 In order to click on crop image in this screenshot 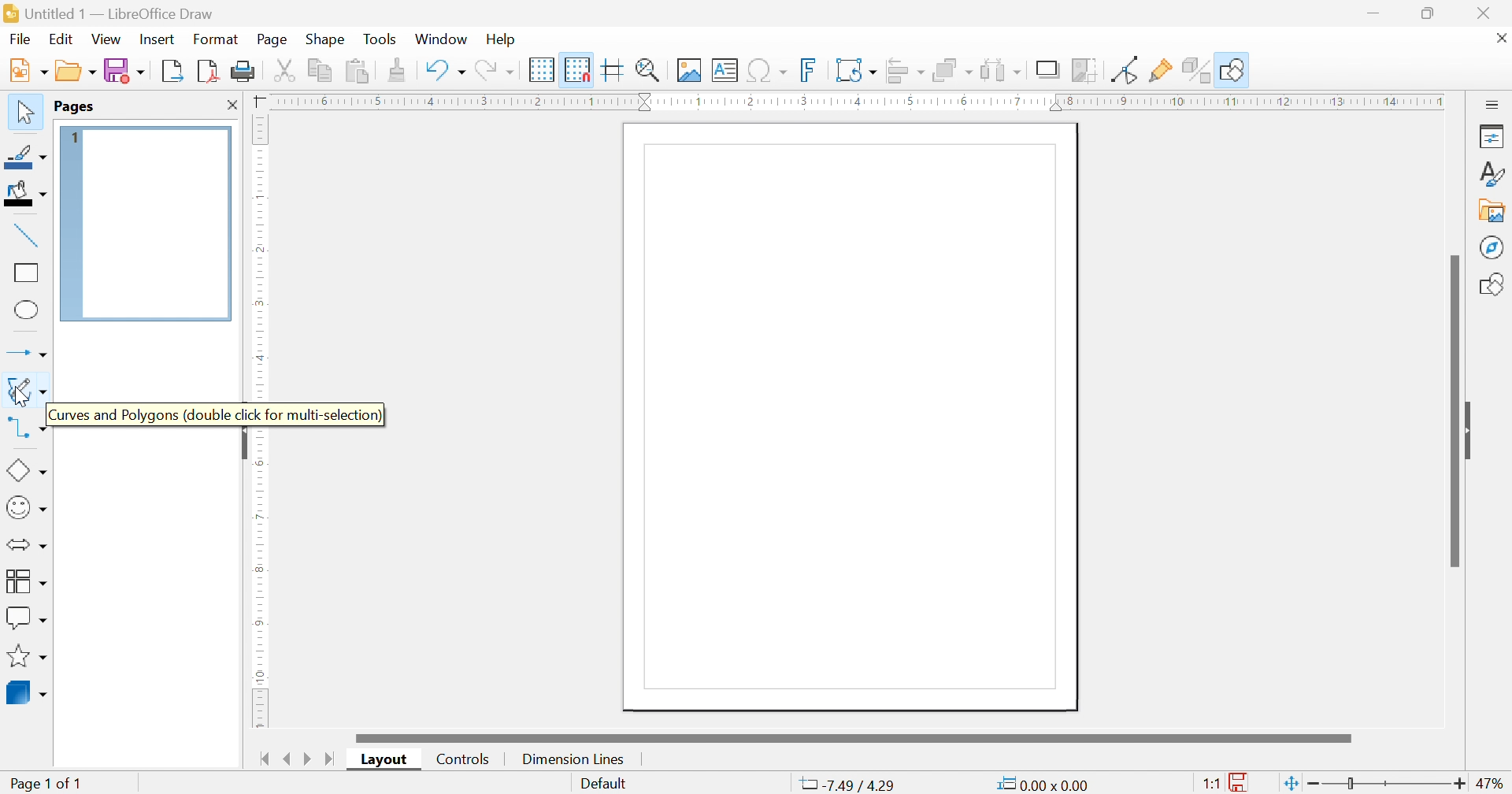, I will do `click(1084, 70)`.